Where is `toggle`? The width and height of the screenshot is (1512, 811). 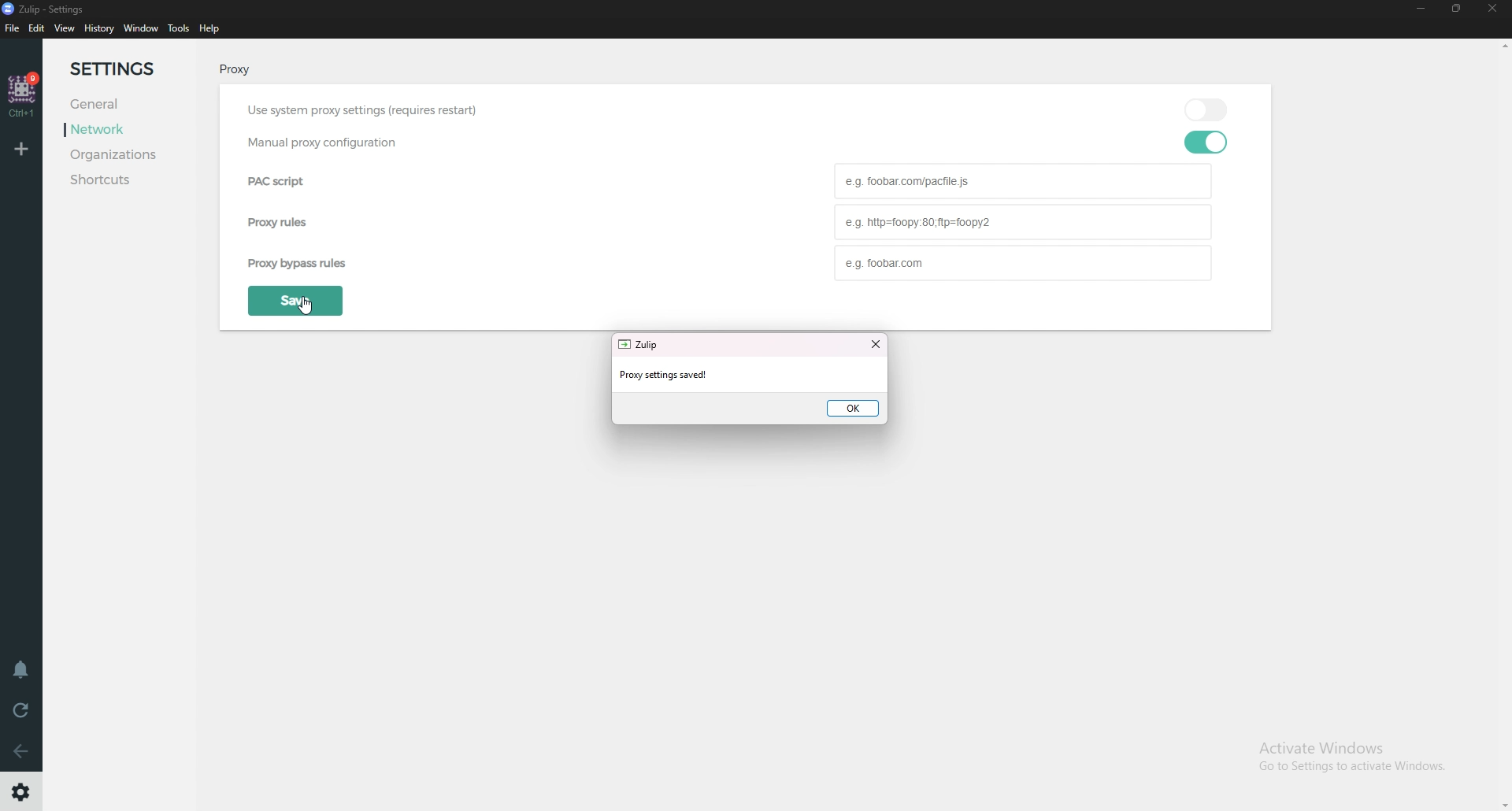
toggle is located at coordinates (1206, 142).